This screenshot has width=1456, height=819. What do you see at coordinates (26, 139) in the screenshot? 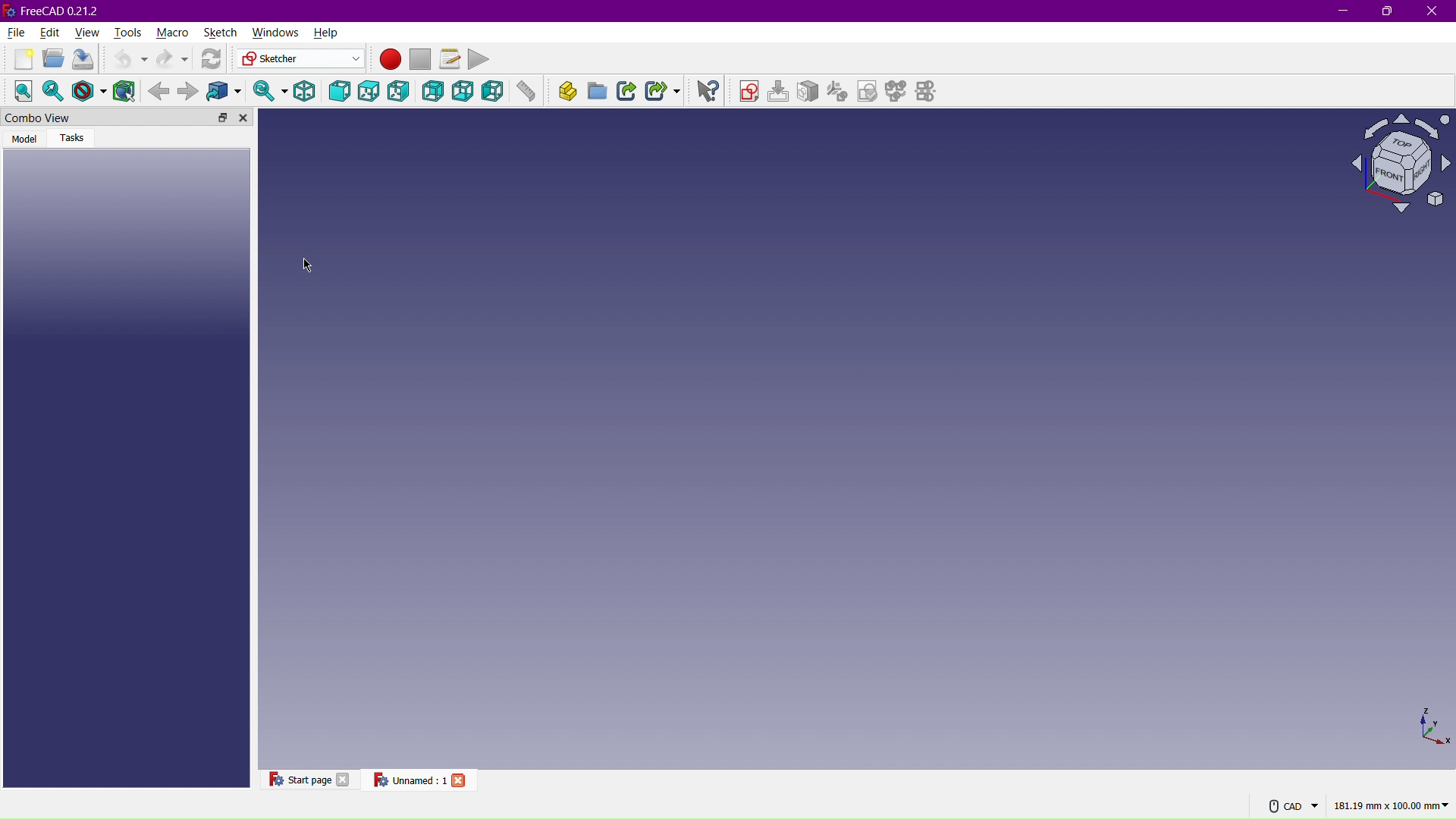
I see `Model` at bounding box center [26, 139].